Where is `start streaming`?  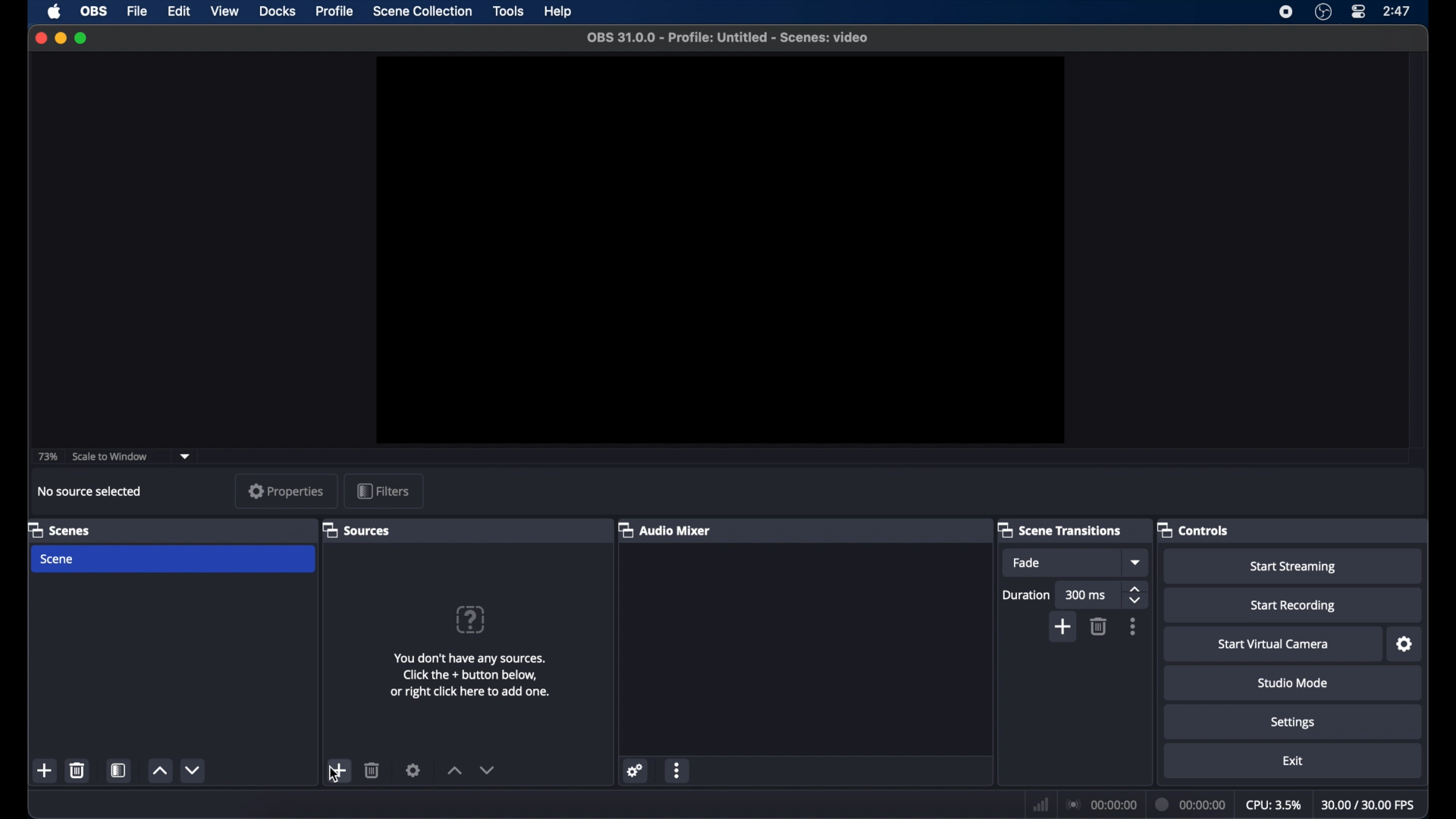 start streaming is located at coordinates (1292, 566).